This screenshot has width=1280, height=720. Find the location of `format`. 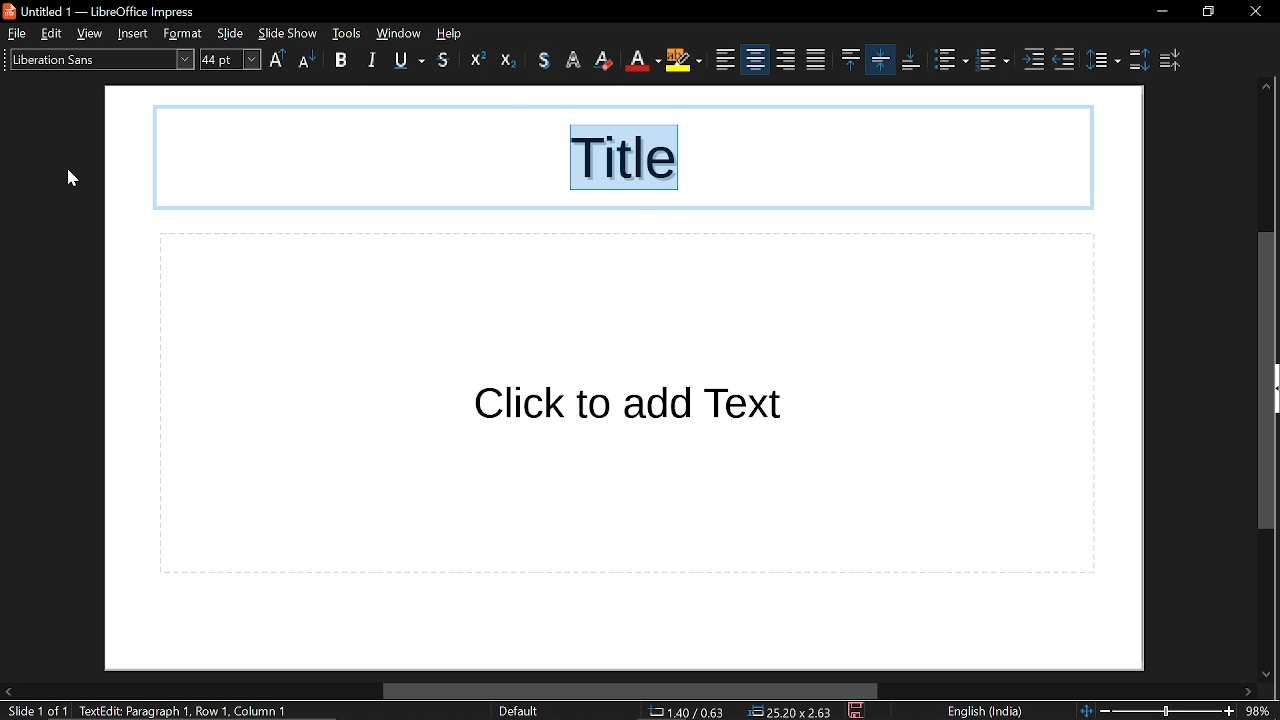

format is located at coordinates (186, 34).